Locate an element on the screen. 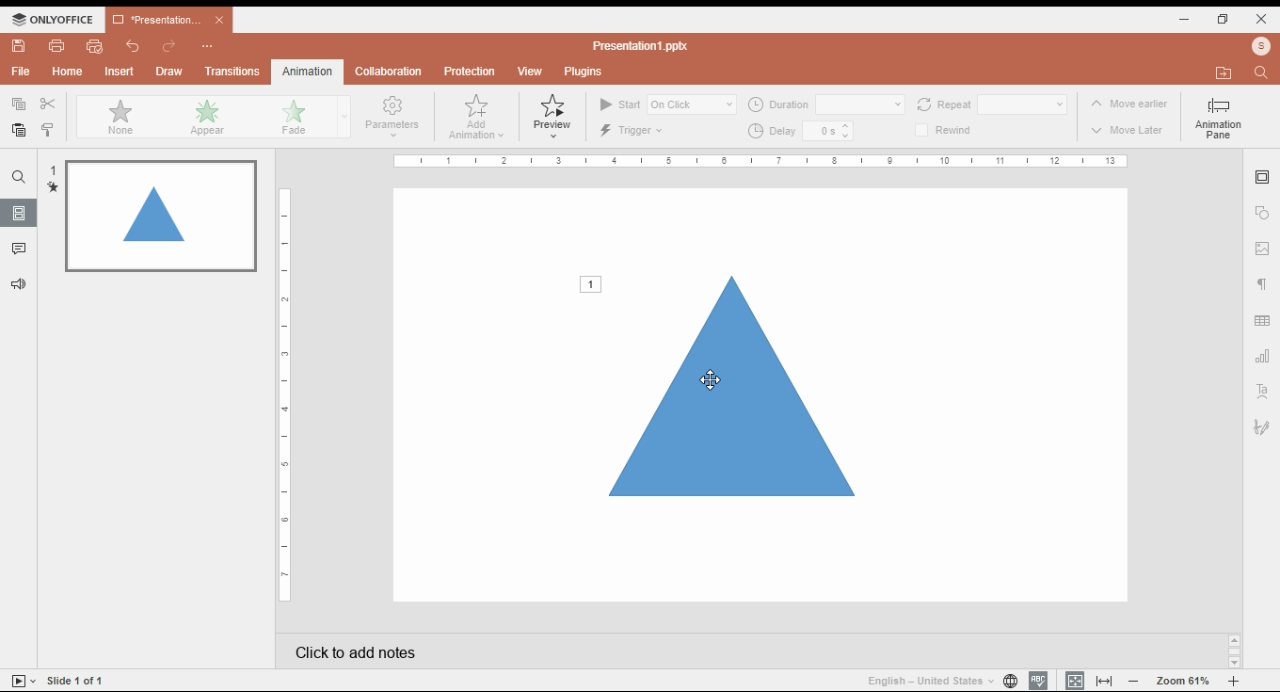  animation: appear is located at coordinates (206, 117).